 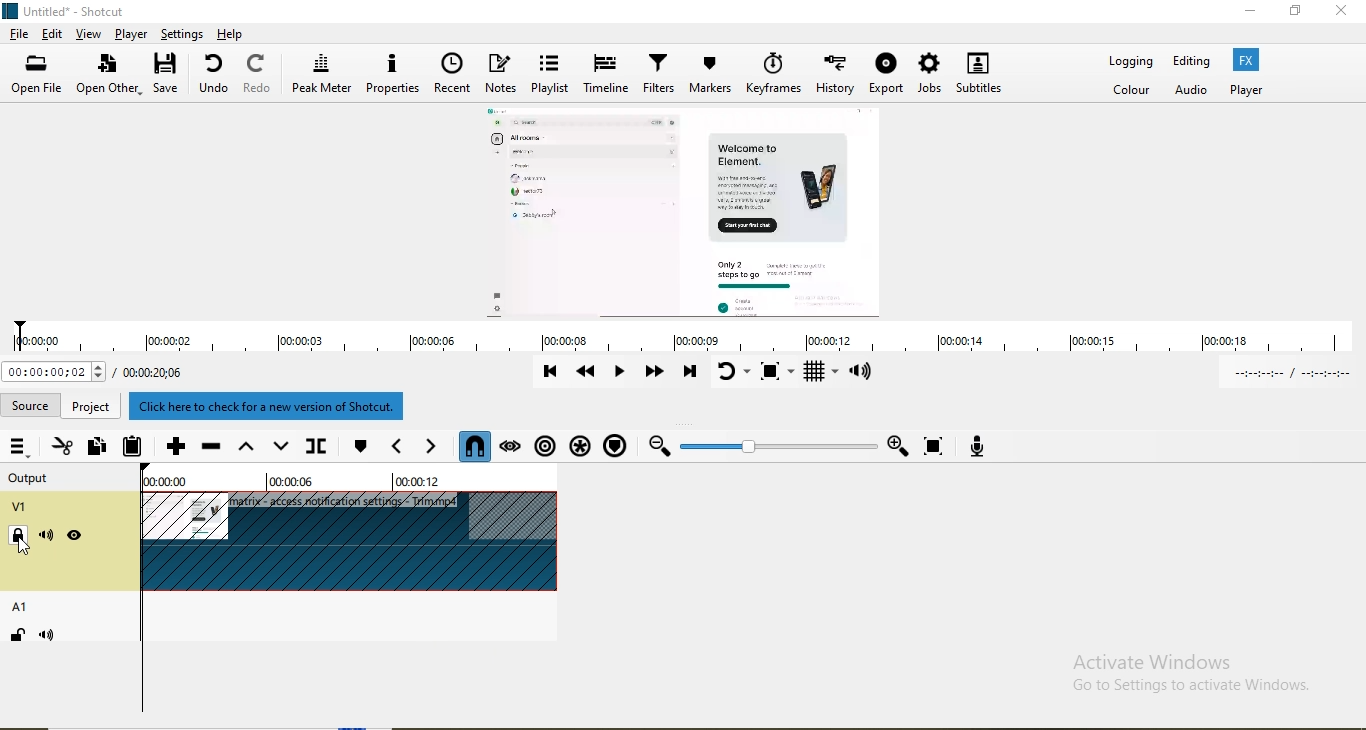 I want to click on Restore, so click(x=1296, y=11).